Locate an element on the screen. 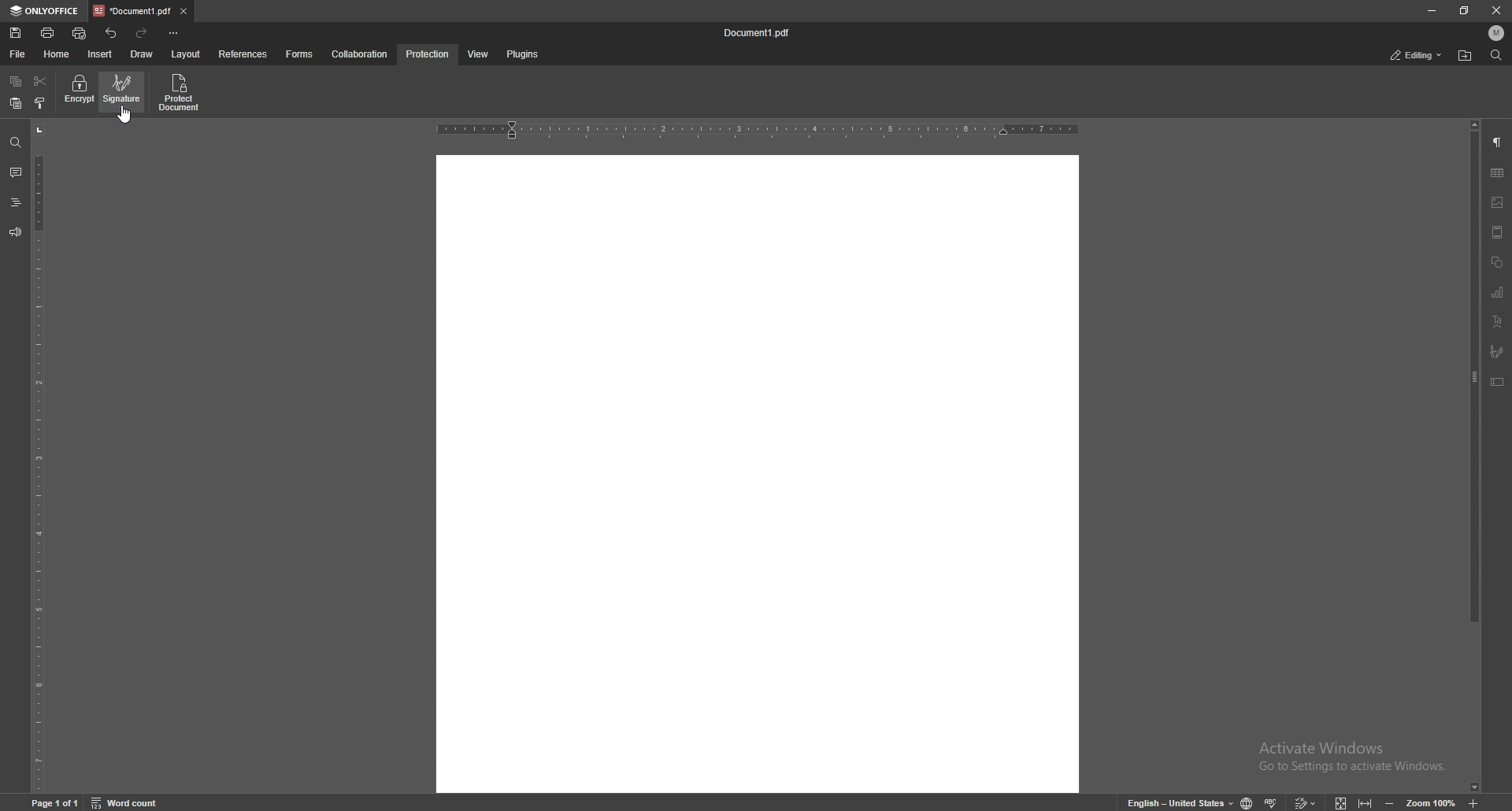 This screenshot has width=1512, height=811. comment is located at coordinates (13, 172).